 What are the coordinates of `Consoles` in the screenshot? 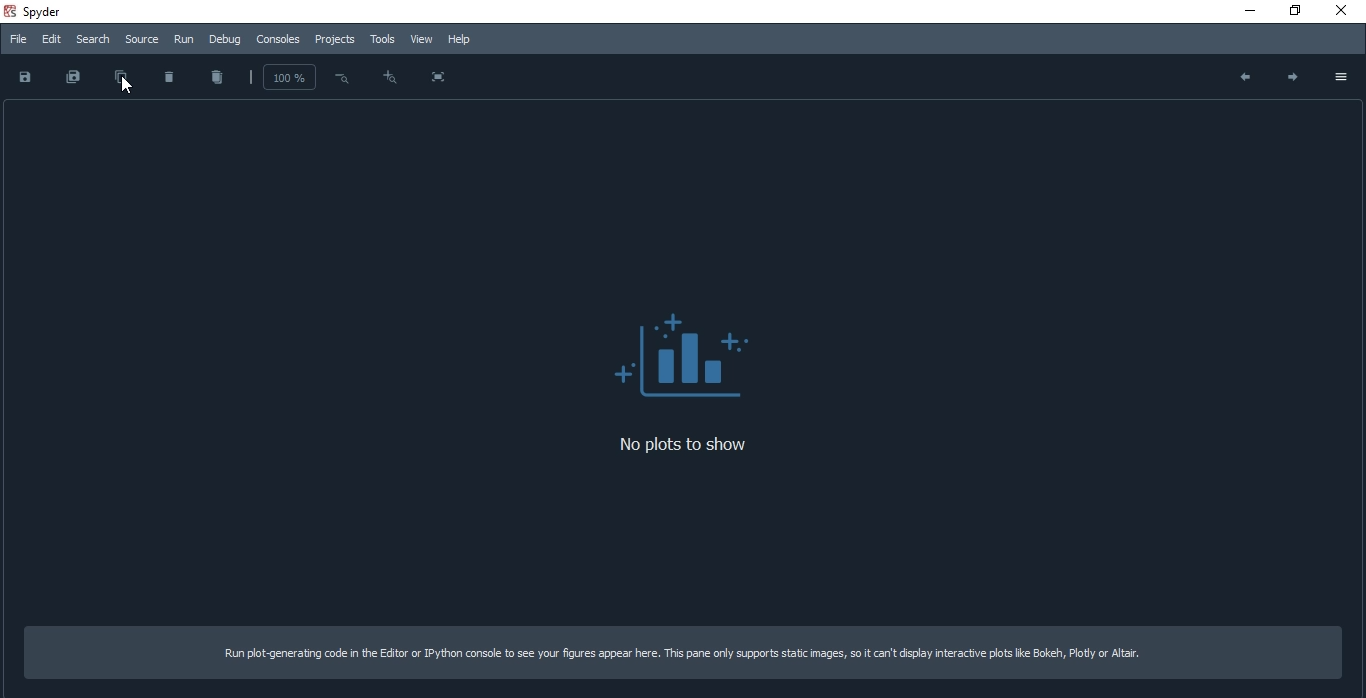 It's located at (281, 42).